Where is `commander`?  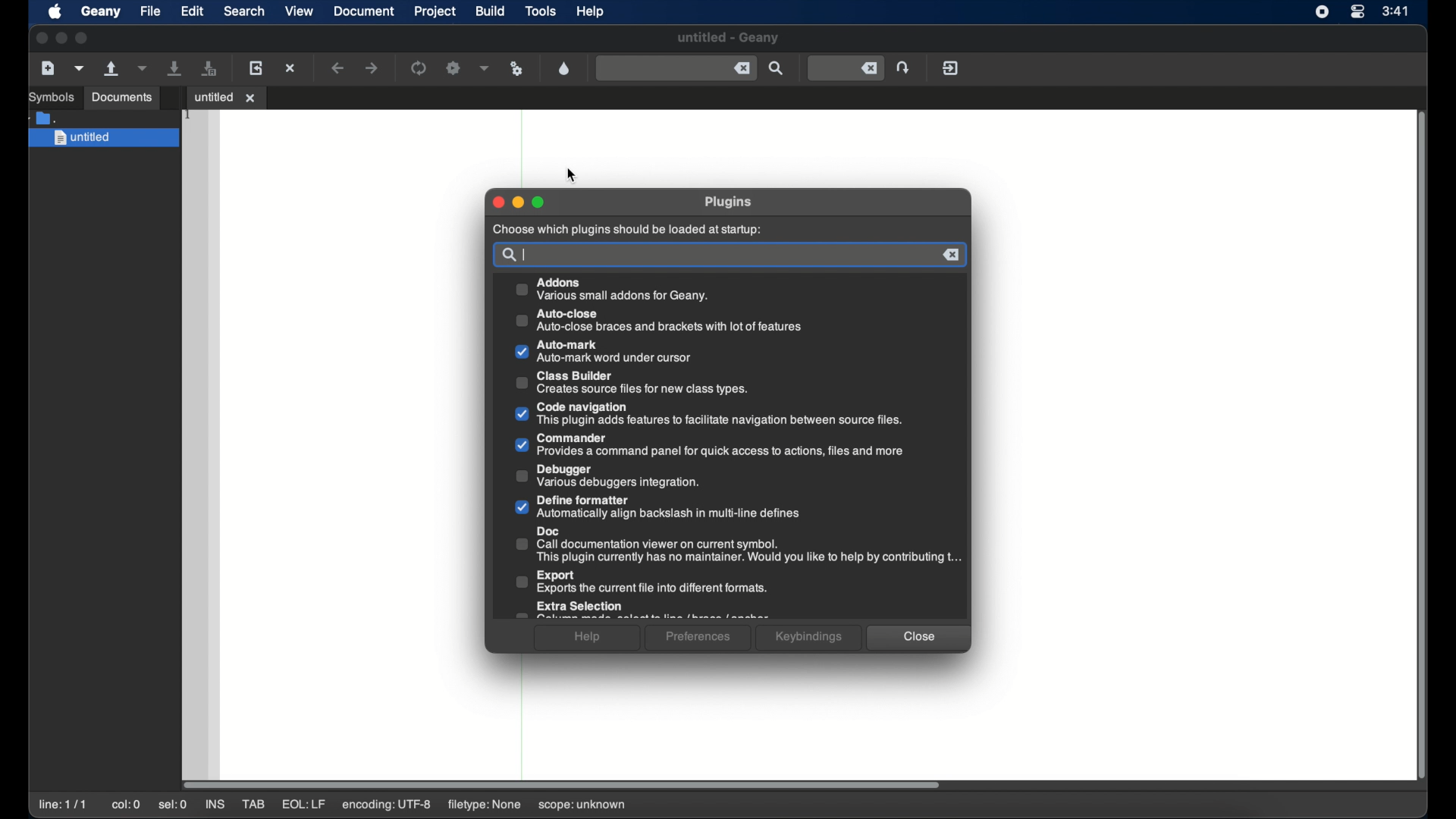
commander is located at coordinates (710, 445).